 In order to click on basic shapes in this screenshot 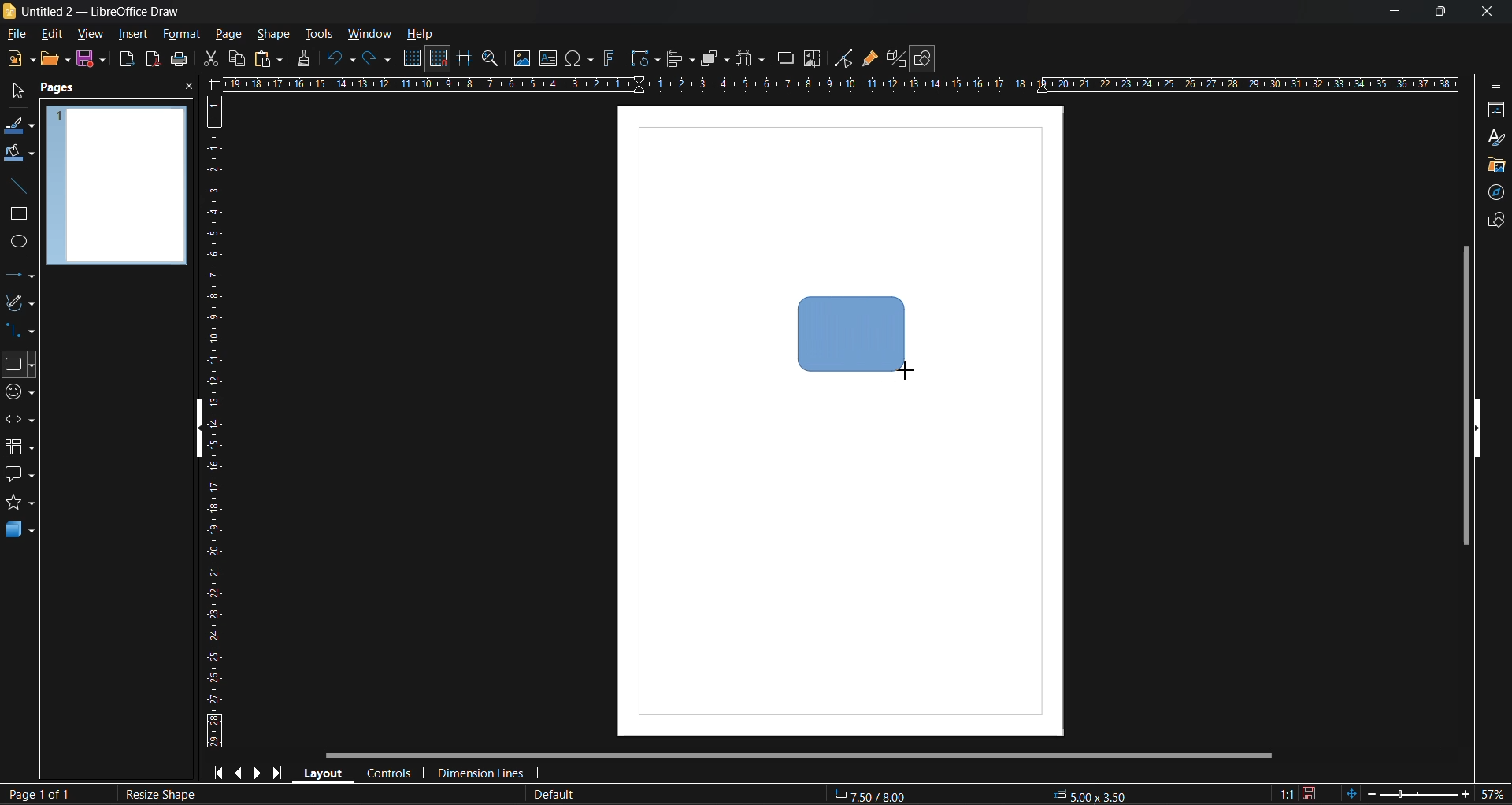, I will do `click(18, 365)`.